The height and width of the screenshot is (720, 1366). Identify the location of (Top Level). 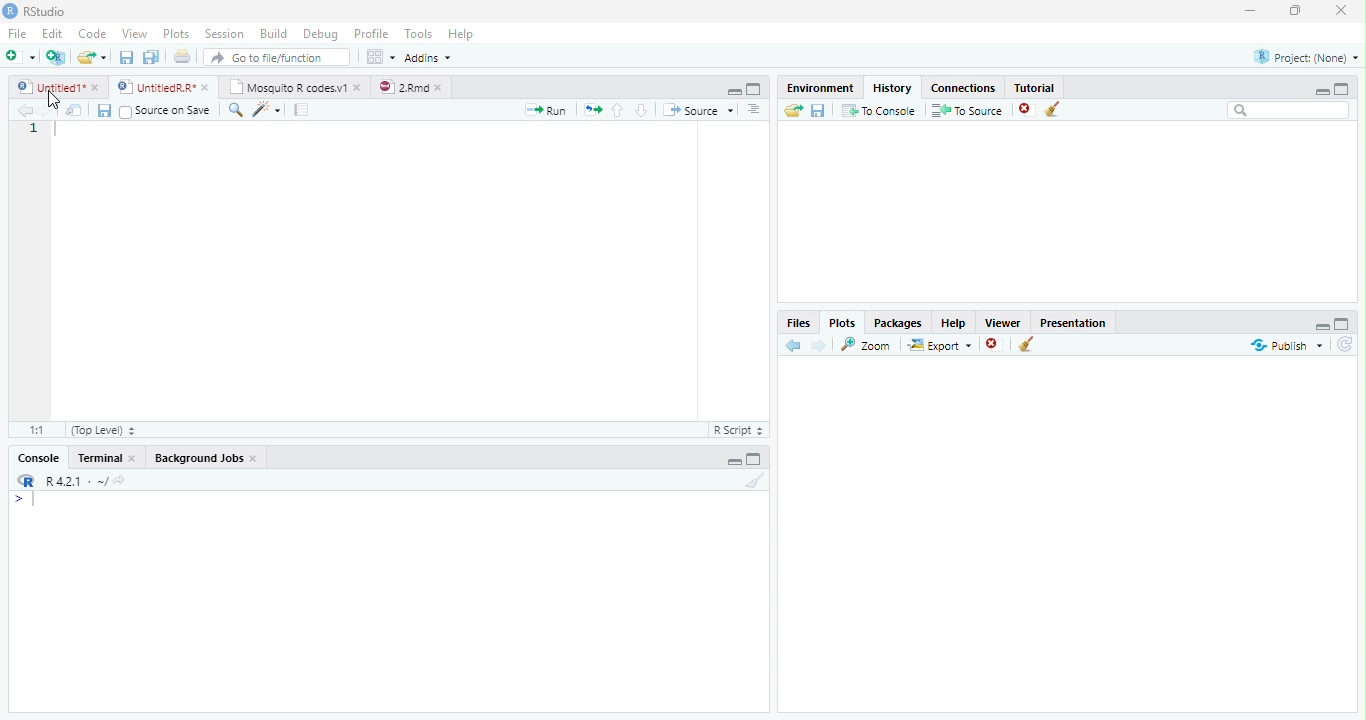
(103, 430).